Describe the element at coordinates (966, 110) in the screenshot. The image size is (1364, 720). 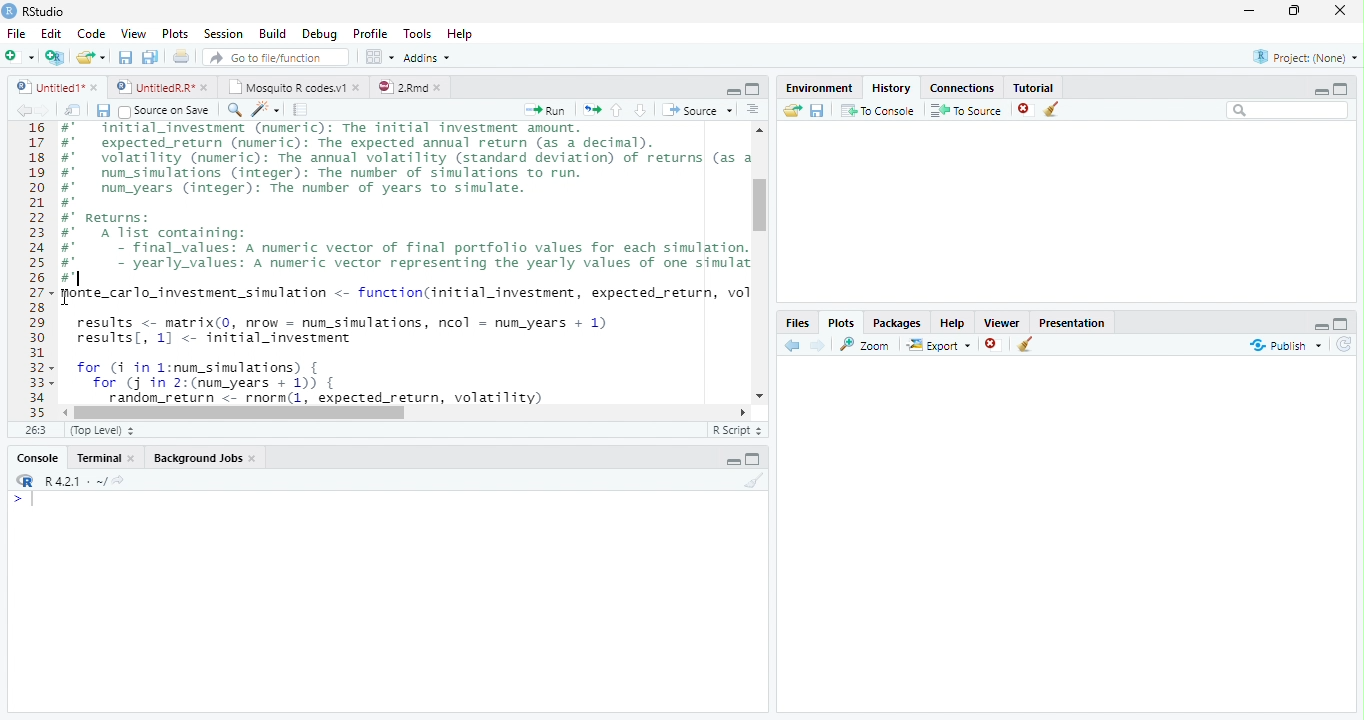
I see `To Source` at that location.